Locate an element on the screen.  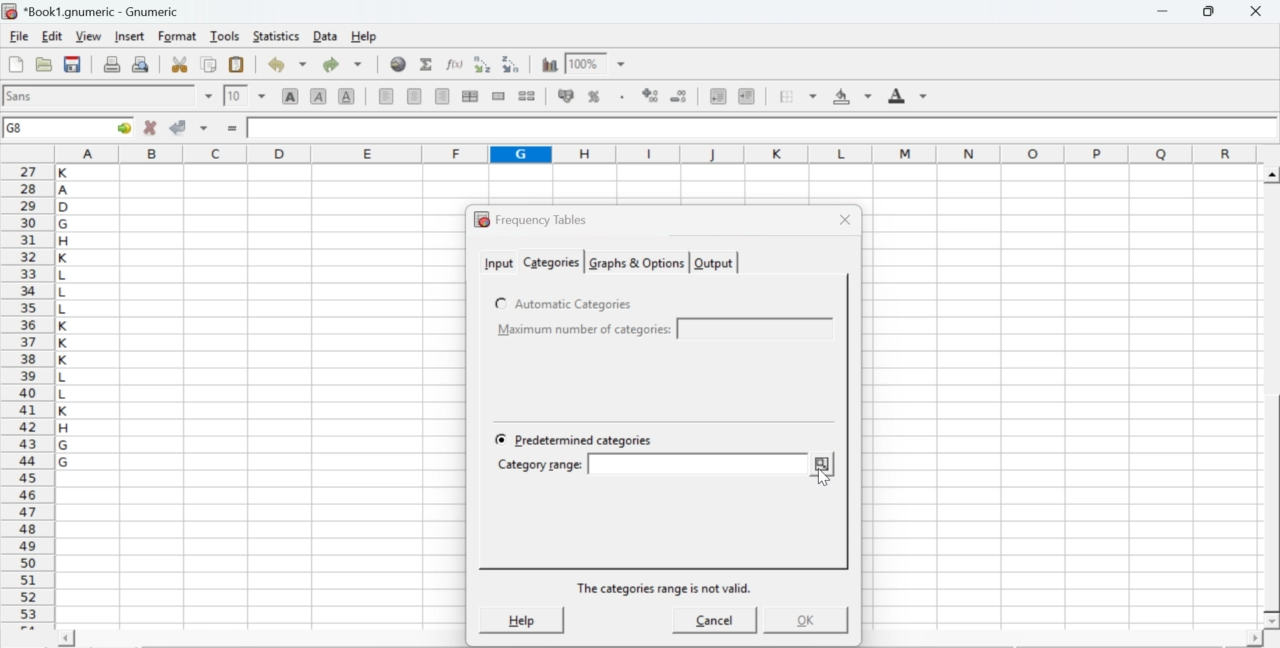
drop down is located at coordinates (622, 65).